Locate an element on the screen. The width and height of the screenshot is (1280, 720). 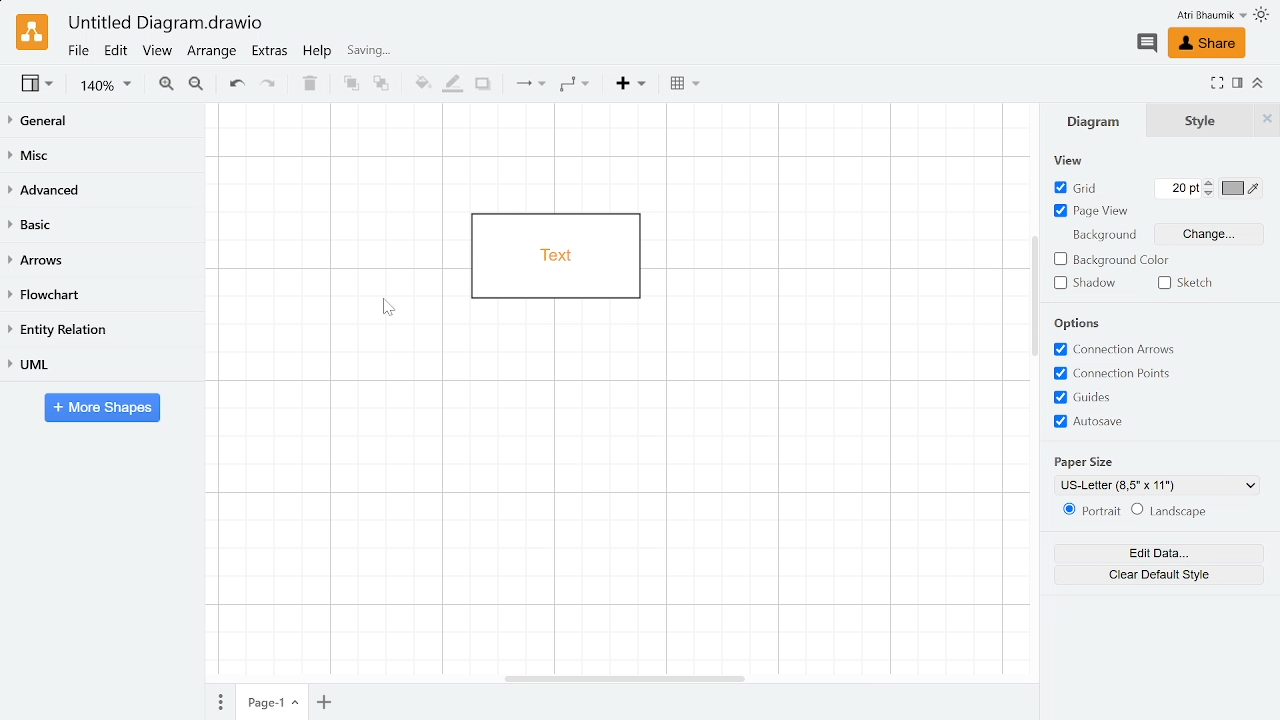
Guides is located at coordinates (1122, 397).